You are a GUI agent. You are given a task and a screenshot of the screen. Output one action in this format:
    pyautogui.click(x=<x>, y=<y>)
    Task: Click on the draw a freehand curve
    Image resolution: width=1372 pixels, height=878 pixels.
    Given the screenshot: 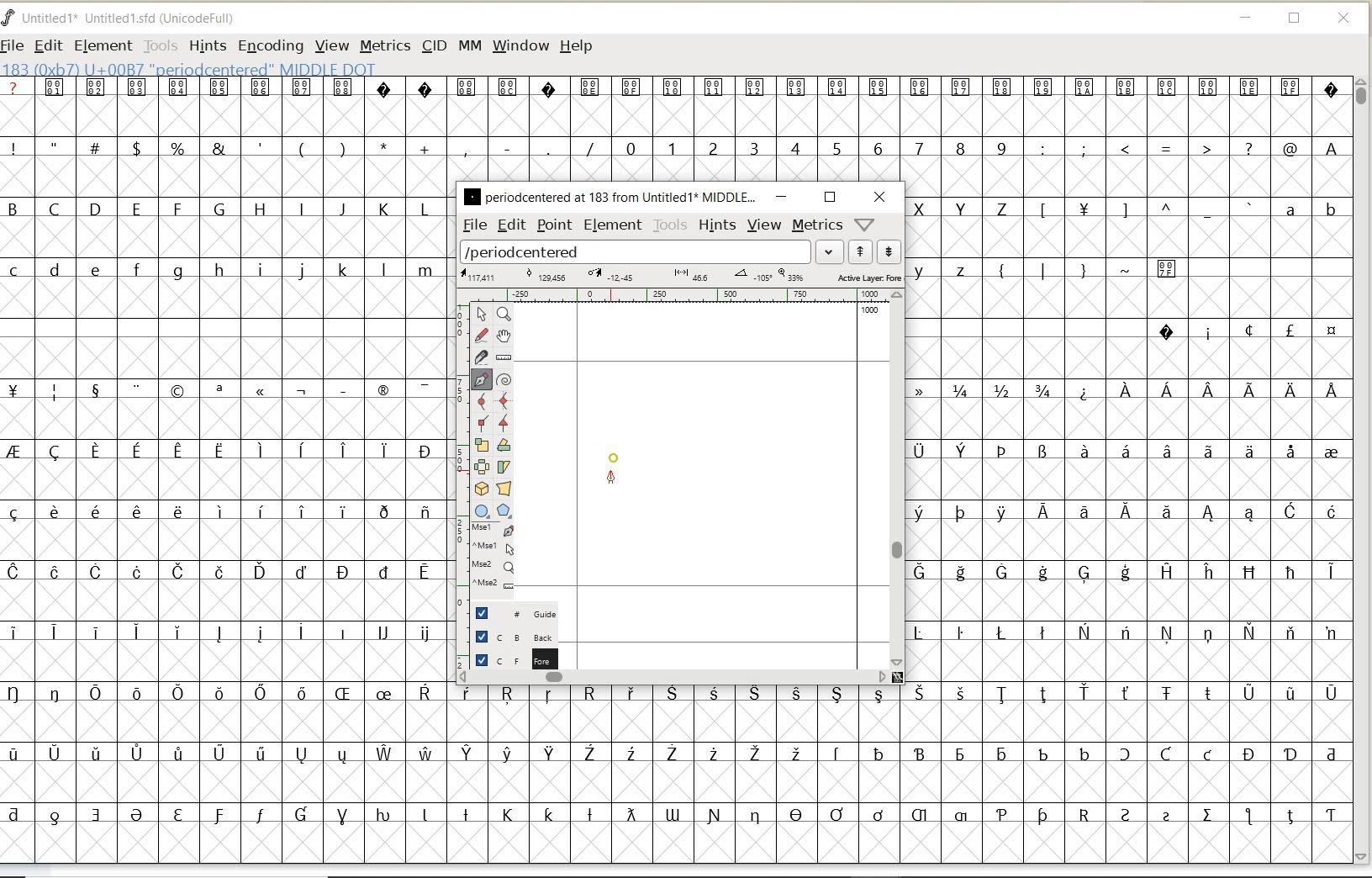 What is the action you would take?
    pyautogui.click(x=481, y=333)
    